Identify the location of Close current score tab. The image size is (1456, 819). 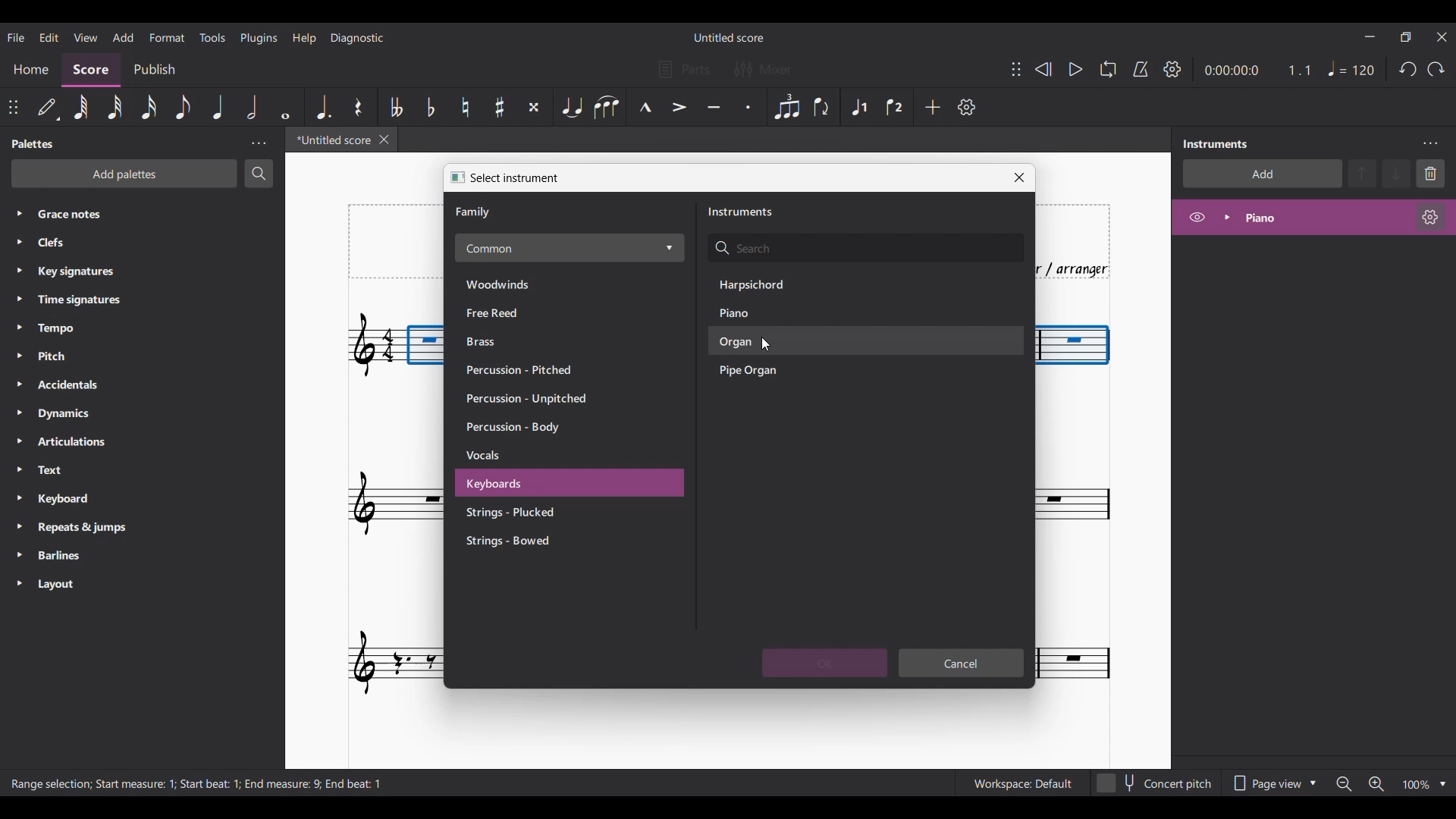
(384, 140).